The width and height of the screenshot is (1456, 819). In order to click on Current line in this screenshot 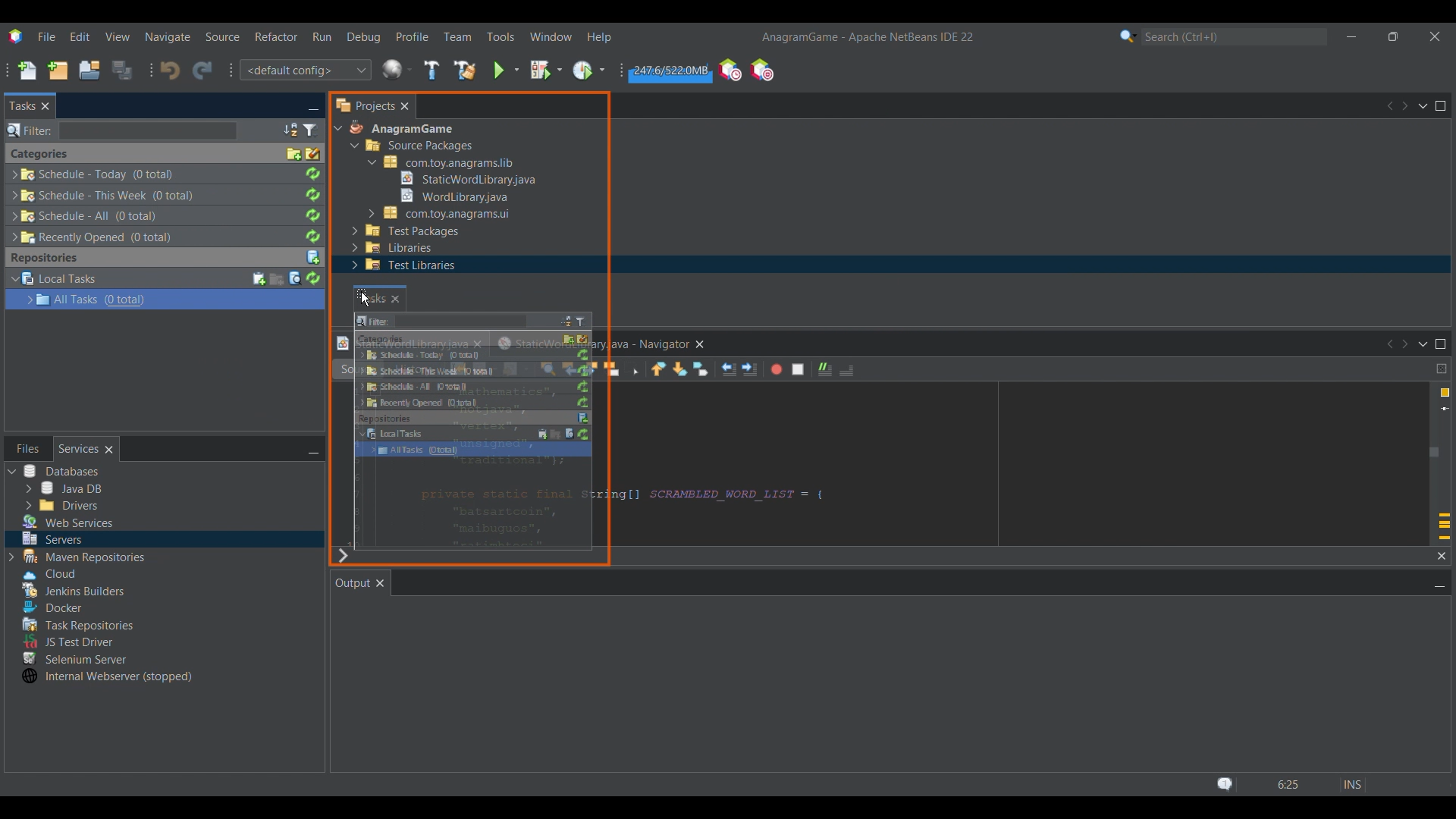, I will do `click(1445, 409)`.